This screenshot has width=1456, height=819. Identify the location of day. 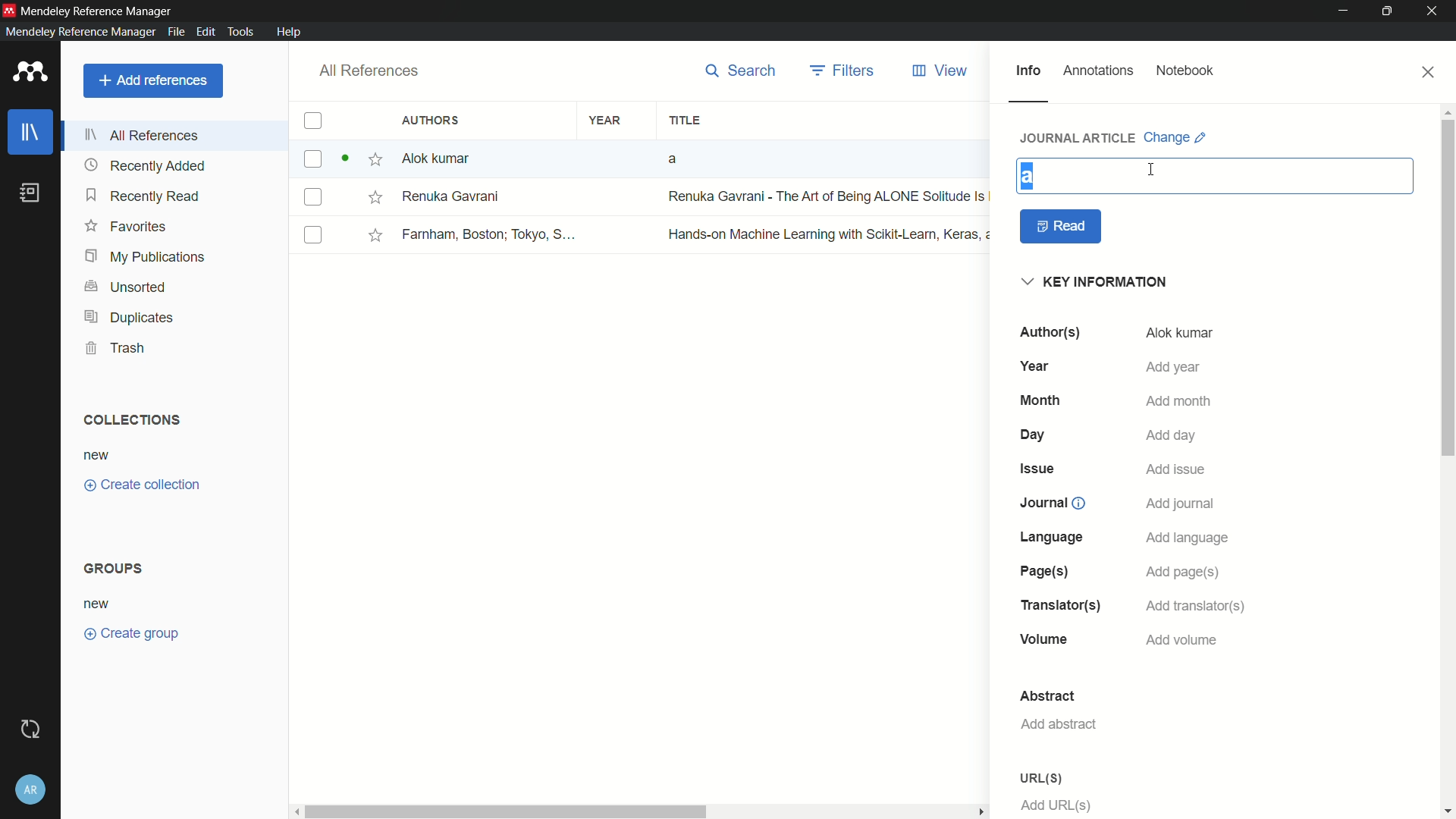
(1035, 435).